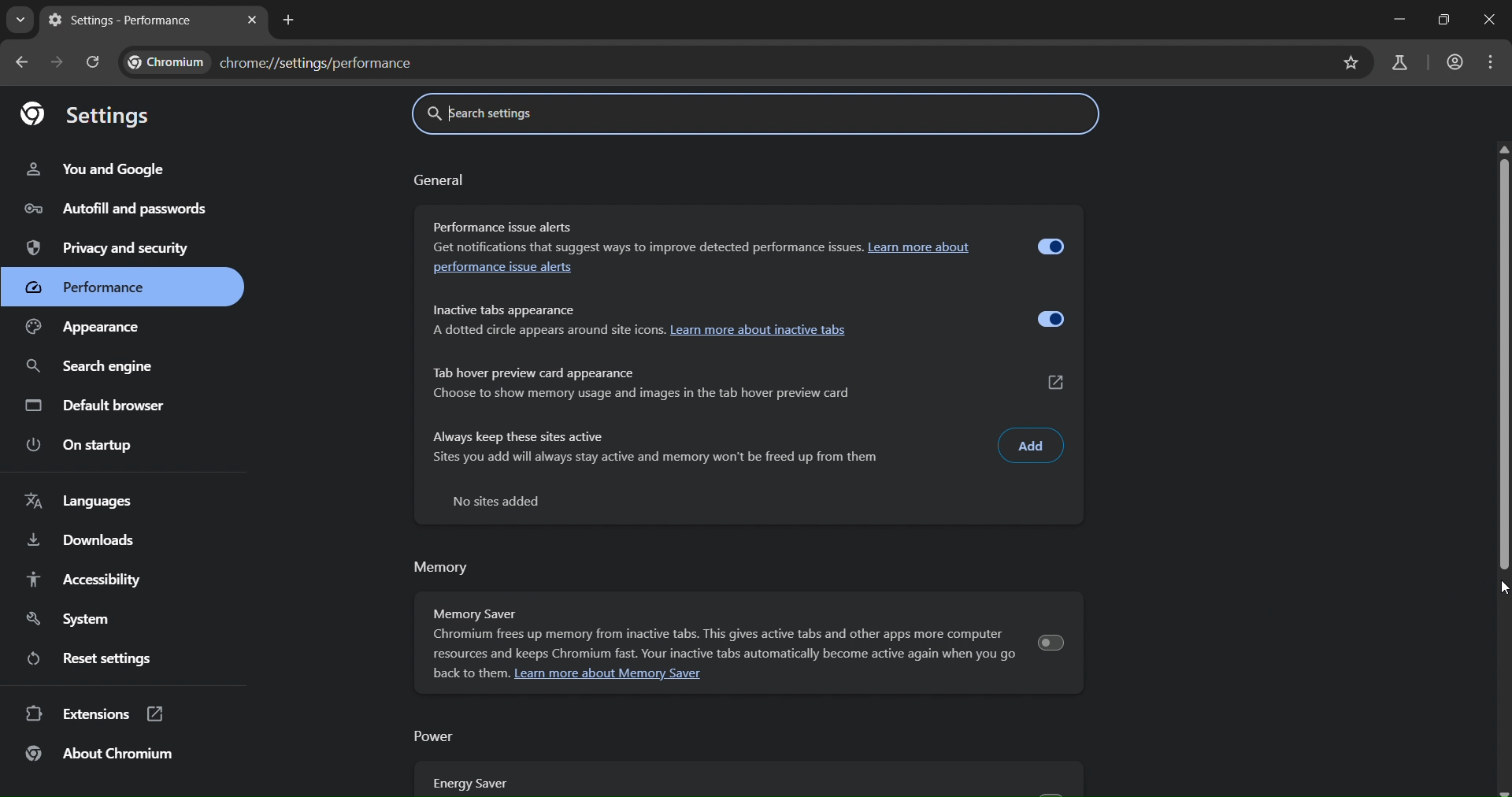  Describe the element at coordinates (1494, 63) in the screenshot. I see `menu` at that location.